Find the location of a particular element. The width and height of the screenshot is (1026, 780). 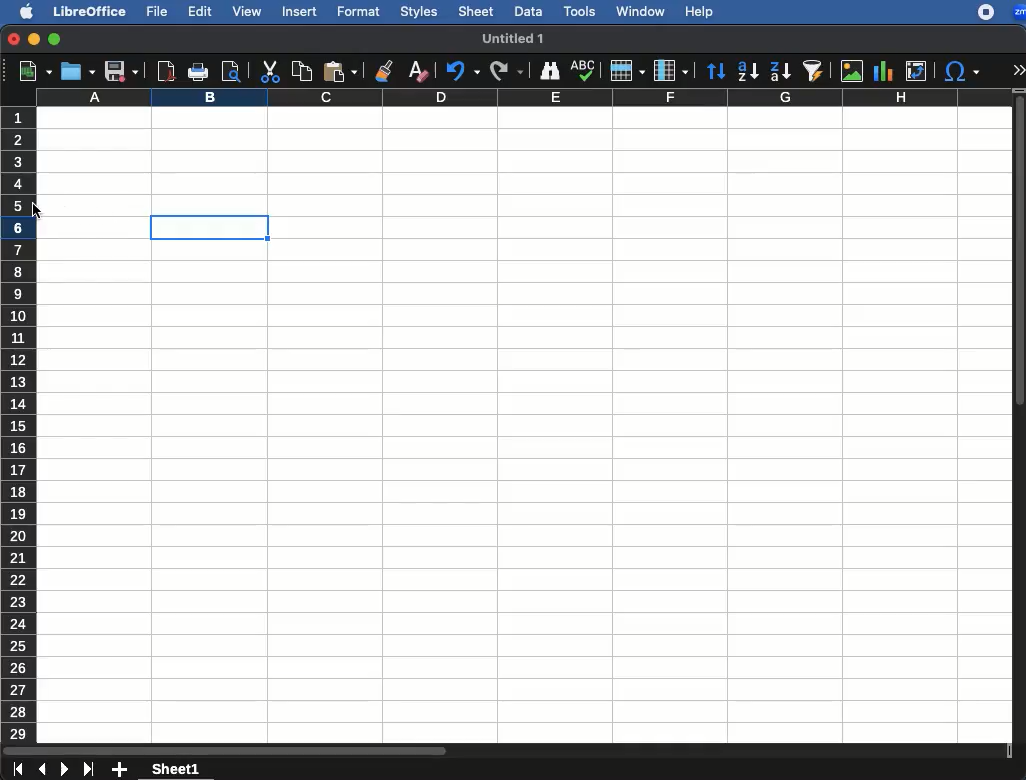

tools is located at coordinates (581, 11).